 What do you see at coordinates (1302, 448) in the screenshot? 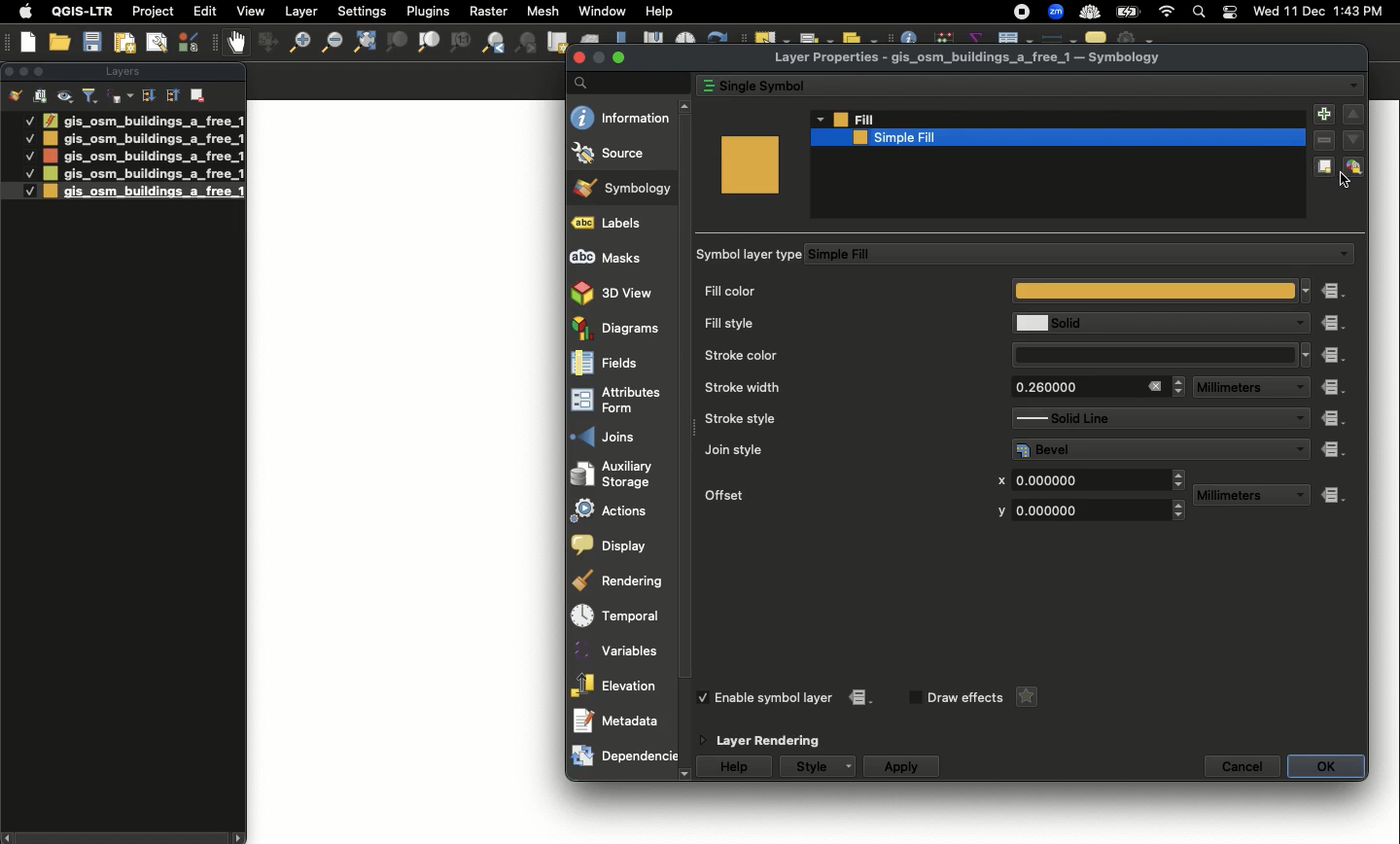
I see `Drop down` at bounding box center [1302, 448].